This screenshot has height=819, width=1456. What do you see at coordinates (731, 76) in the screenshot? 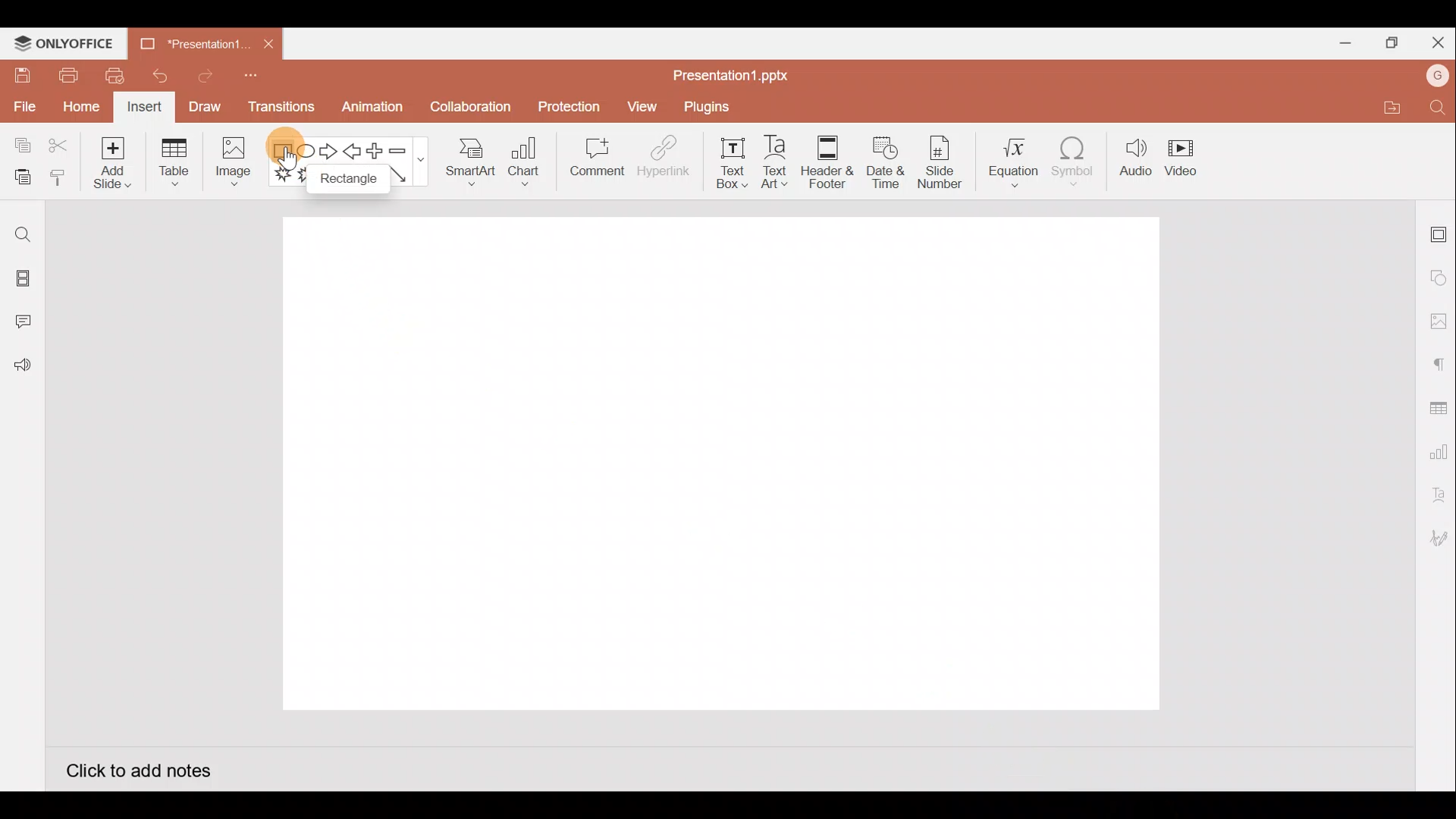
I see `Presentation1.pptx` at bounding box center [731, 76].